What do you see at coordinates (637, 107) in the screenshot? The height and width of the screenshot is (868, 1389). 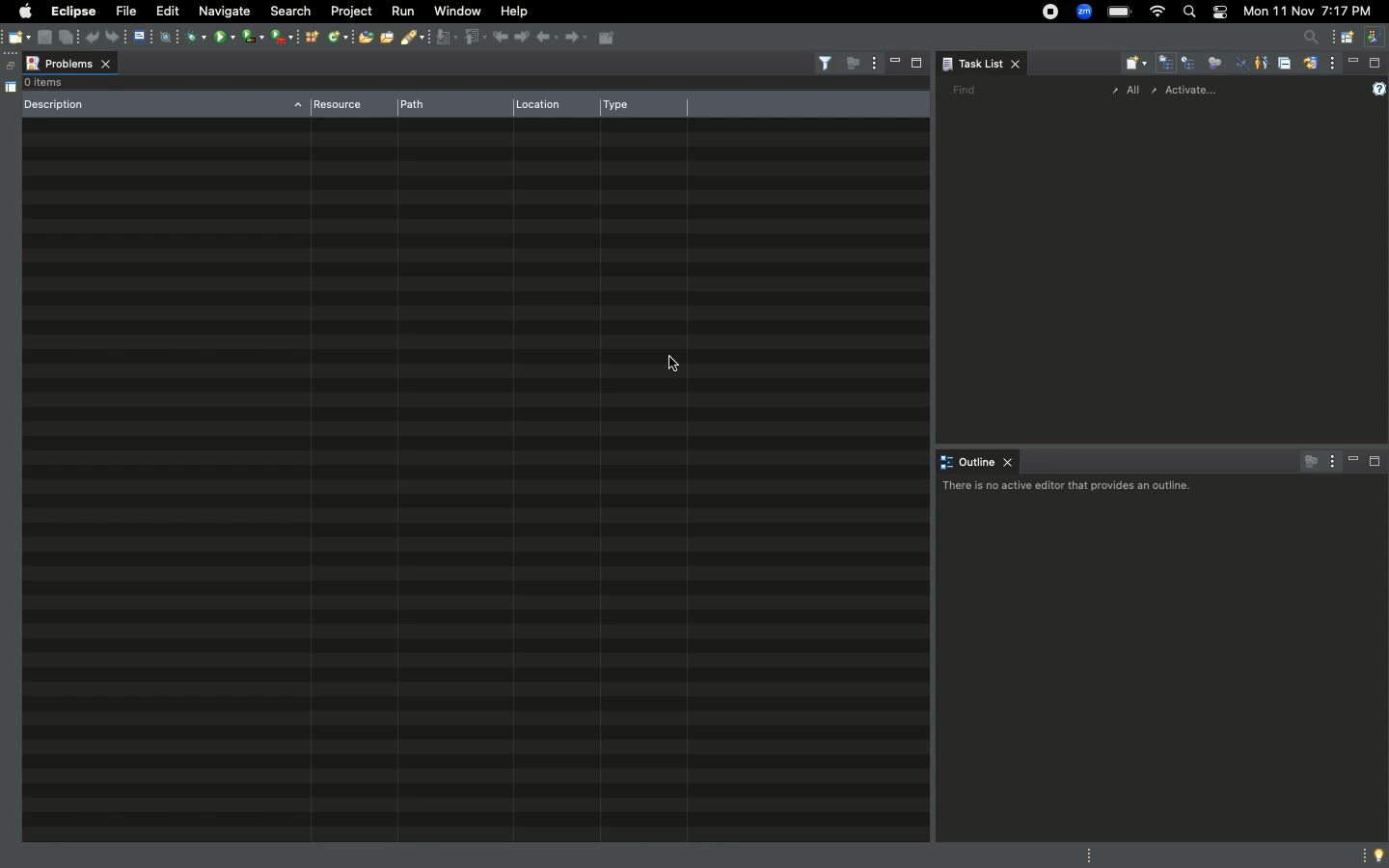 I see `Type` at bounding box center [637, 107].